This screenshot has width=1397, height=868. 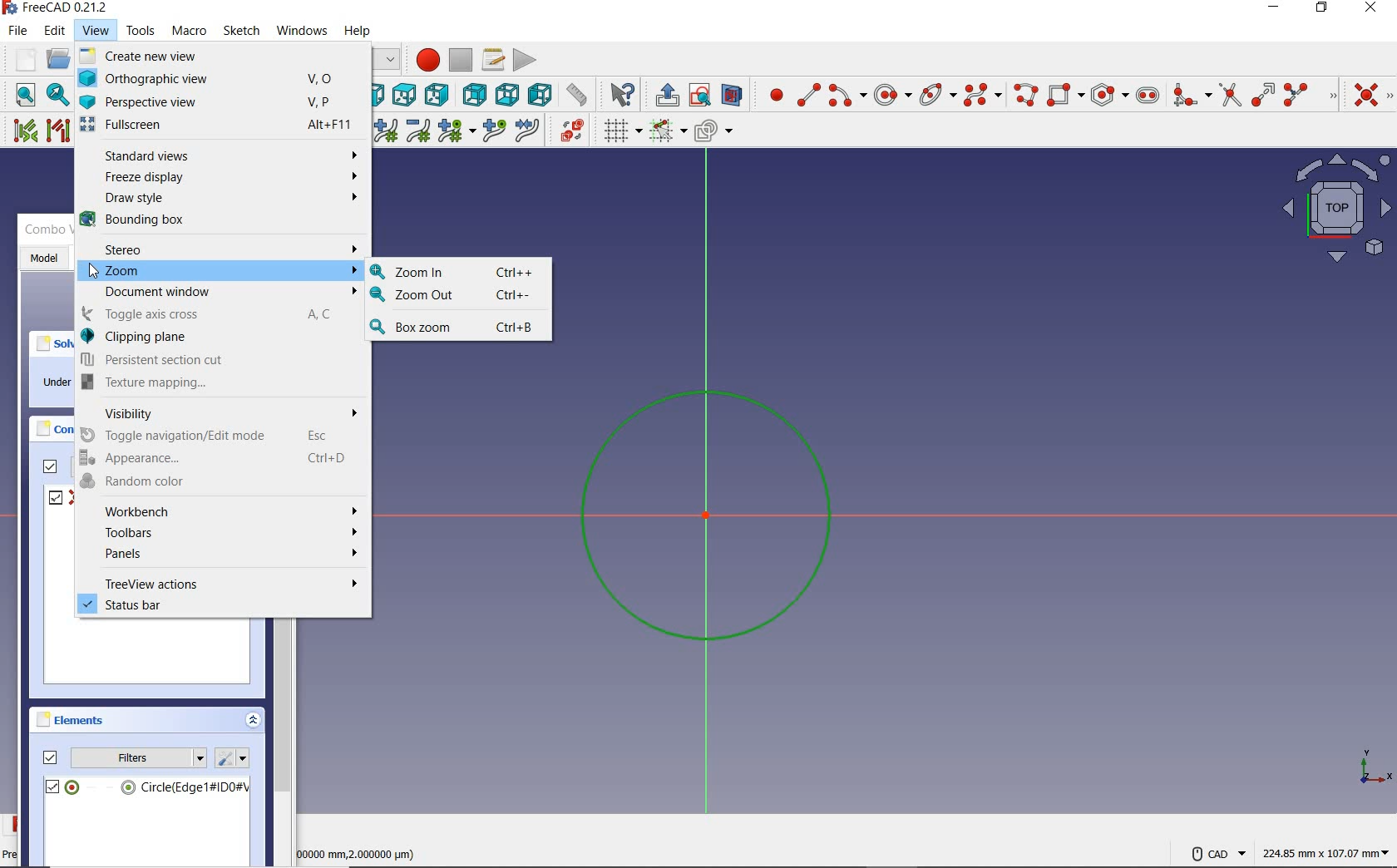 I want to click on right, so click(x=435, y=95).